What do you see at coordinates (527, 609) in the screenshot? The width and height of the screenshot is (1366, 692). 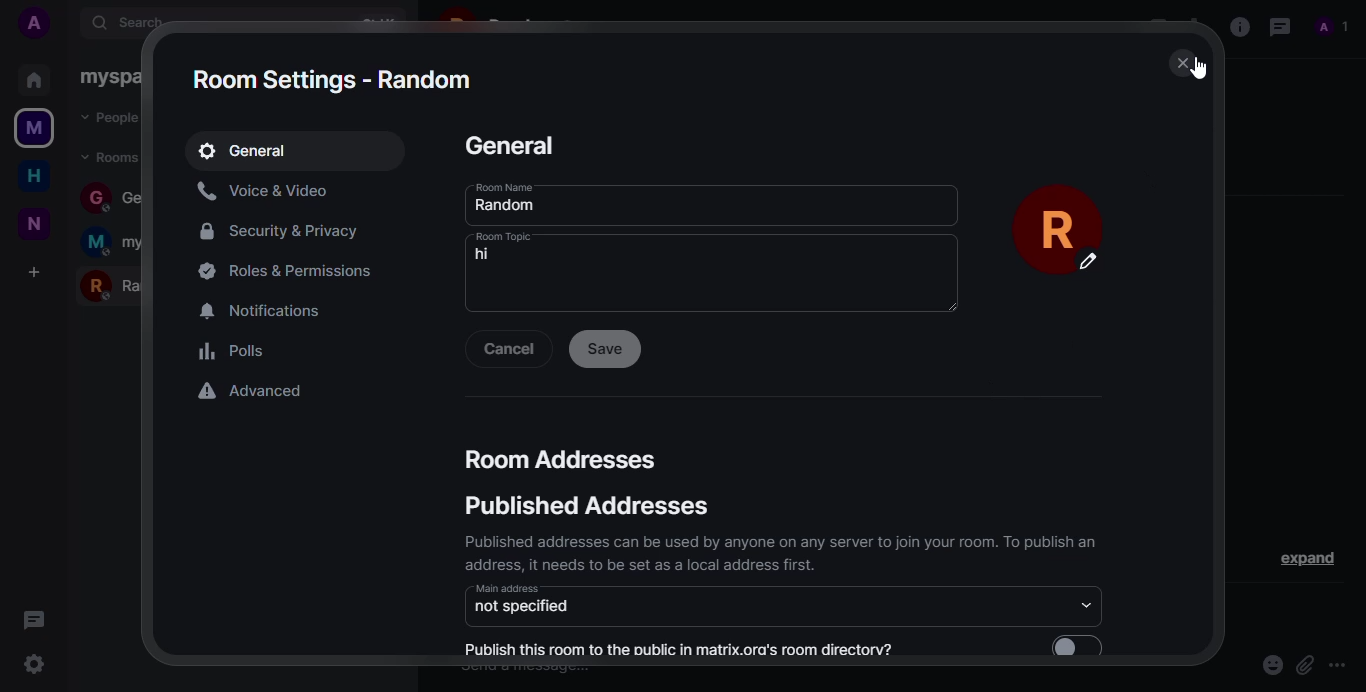 I see `not specified` at bounding box center [527, 609].